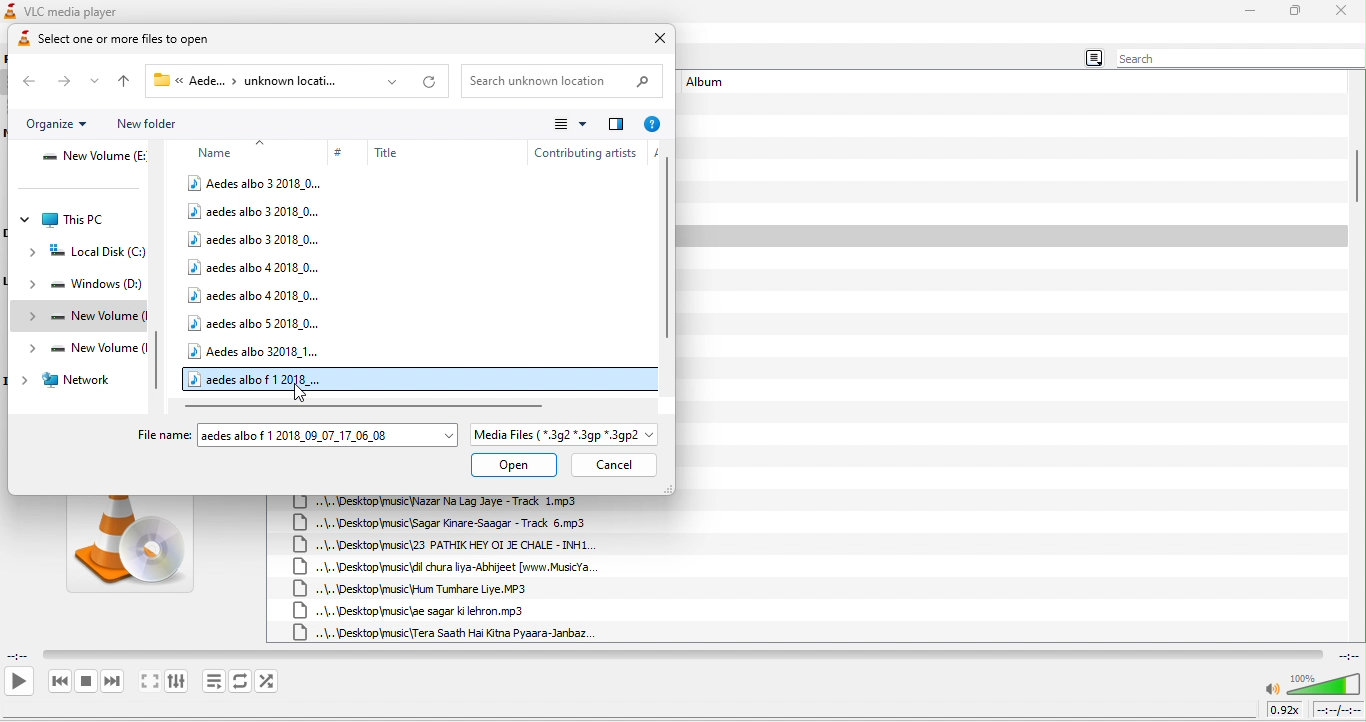 Image resolution: width=1366 pixels, height=722 pixels. What do you see at coordinates (256, 323) in the screenshot?
I see `aedes albo 5 2018_0...` at bounding box center [256, 323].